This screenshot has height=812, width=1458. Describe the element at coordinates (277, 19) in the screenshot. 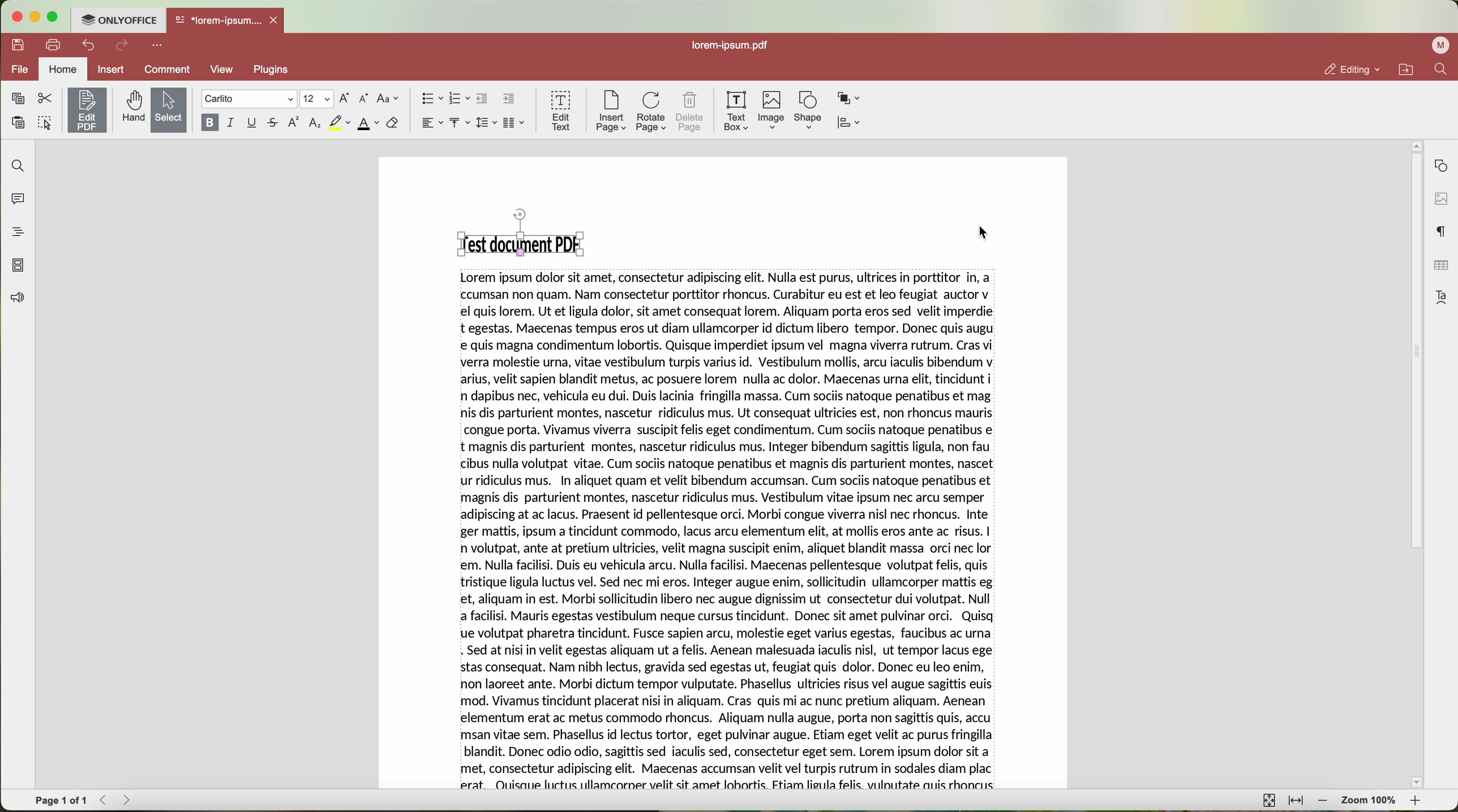

I see `close` at that location.